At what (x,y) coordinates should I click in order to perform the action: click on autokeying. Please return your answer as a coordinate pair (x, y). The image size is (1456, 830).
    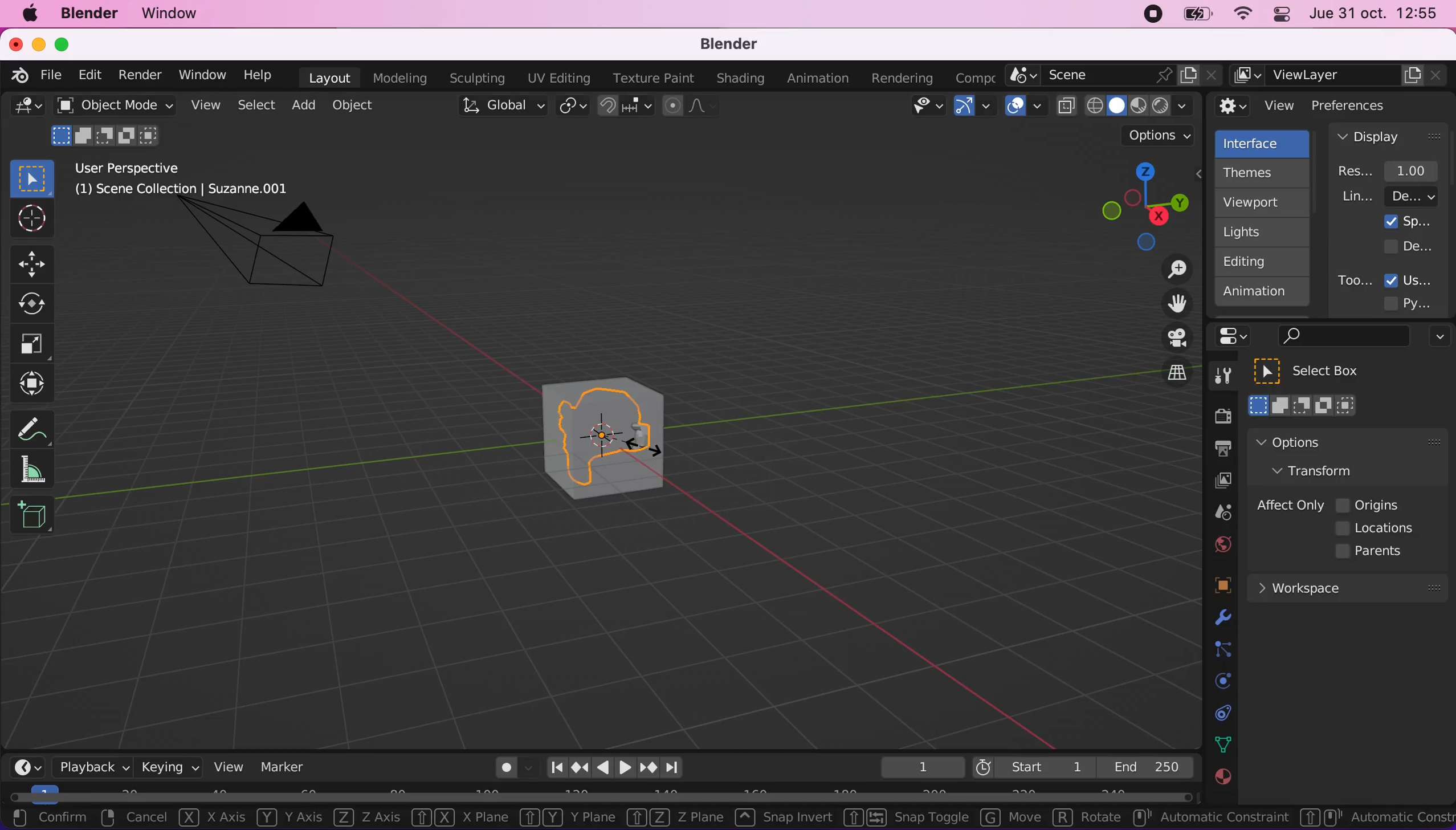
    Looking at the image, I should click on (507, 771).